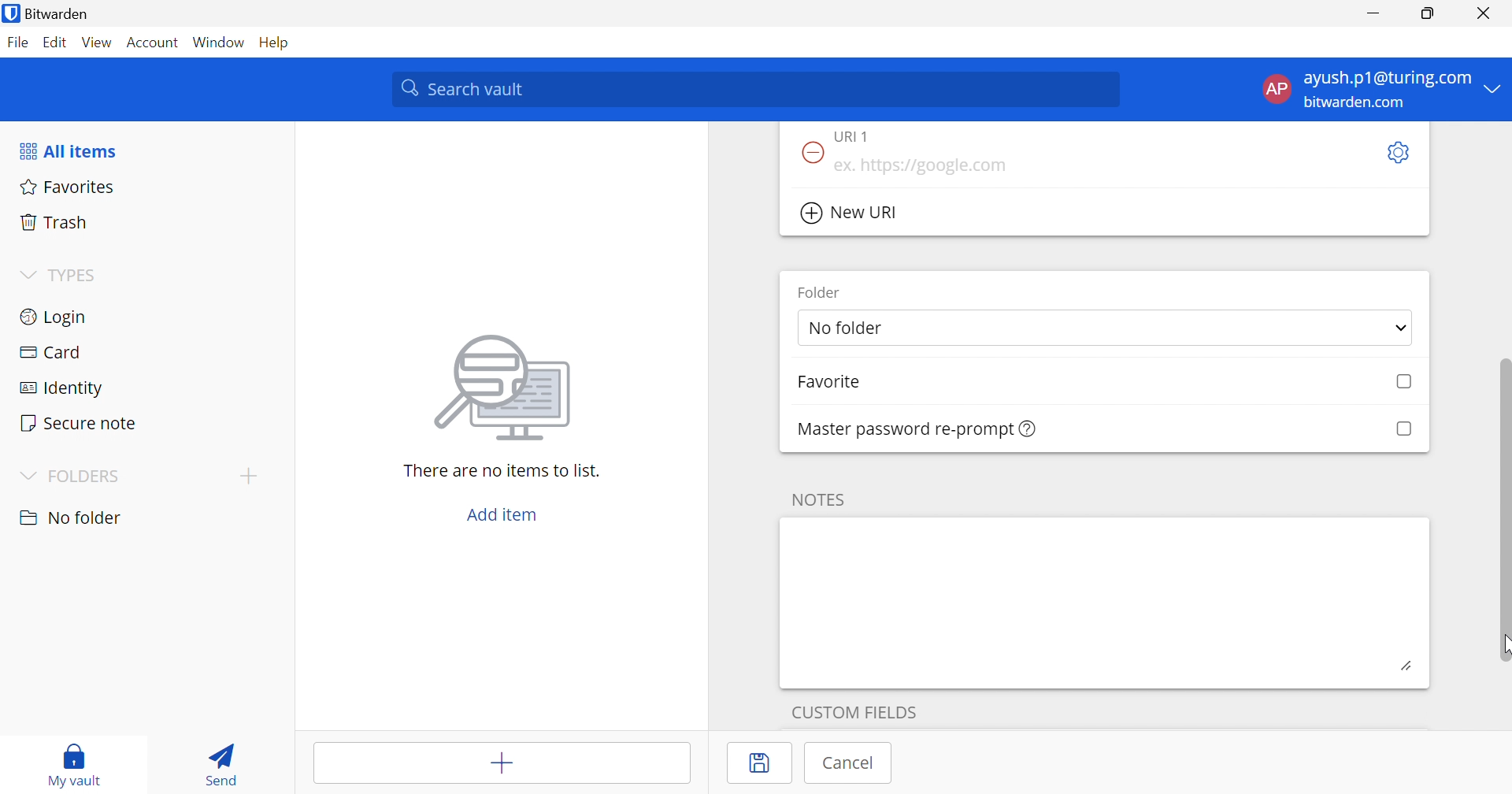  Describe the element at coordinates (1358, 103) in the screenshot. I see `bitwarden.com` at that location.